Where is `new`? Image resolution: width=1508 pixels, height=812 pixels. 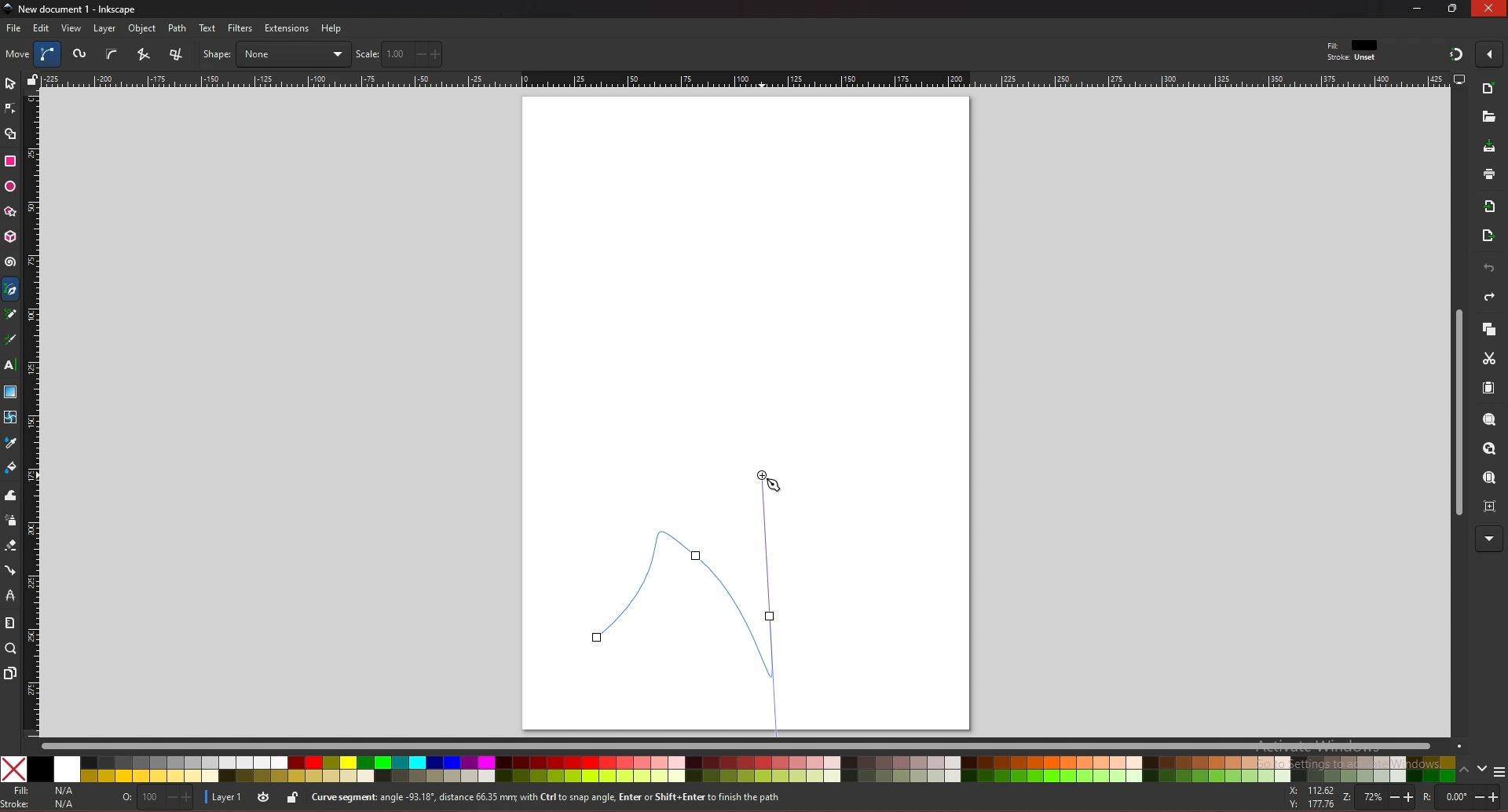 new is located at coordinates (1488, 117).